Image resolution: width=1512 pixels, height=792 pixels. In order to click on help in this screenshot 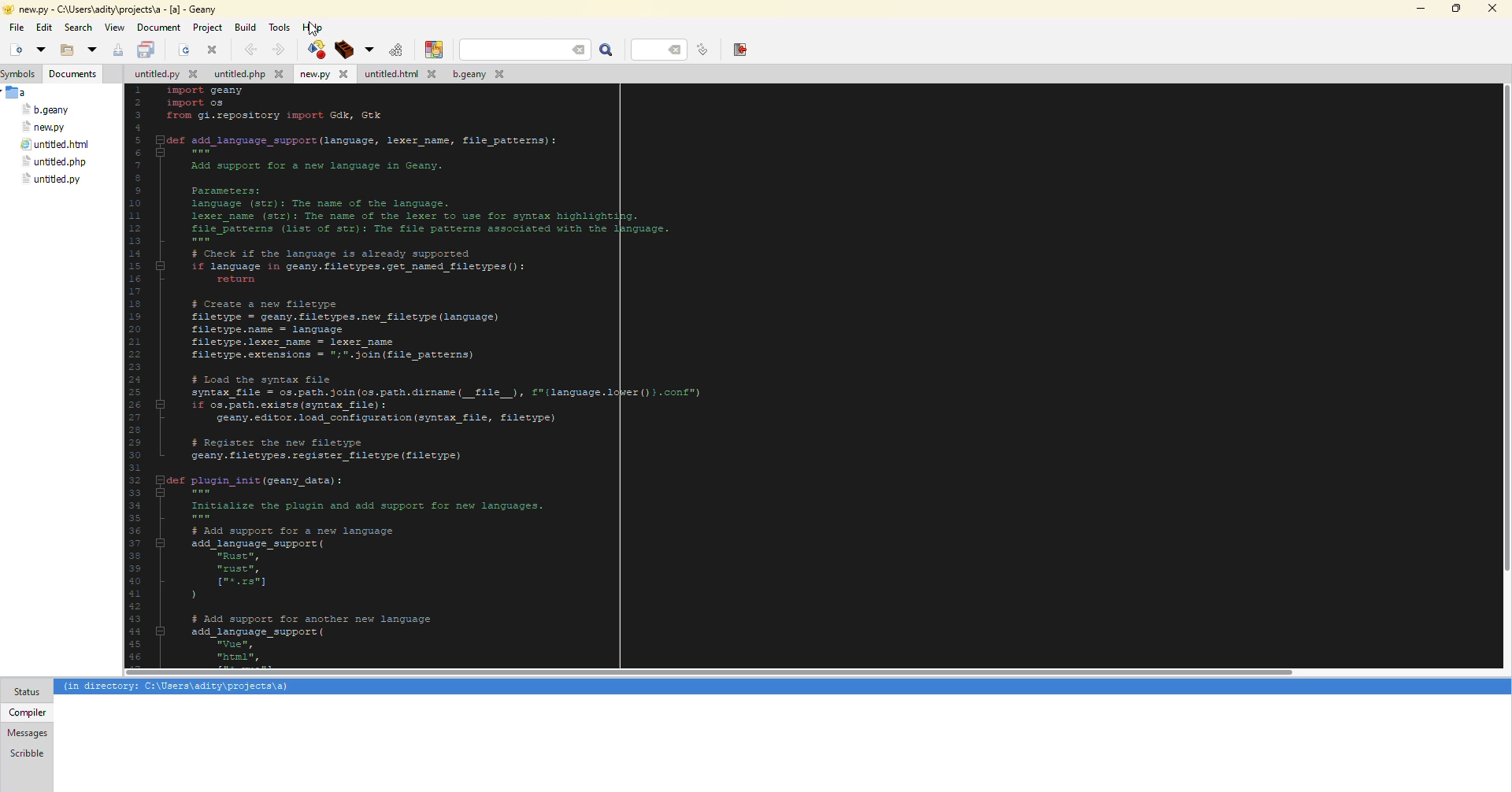, I will do `click(313, 27)`.